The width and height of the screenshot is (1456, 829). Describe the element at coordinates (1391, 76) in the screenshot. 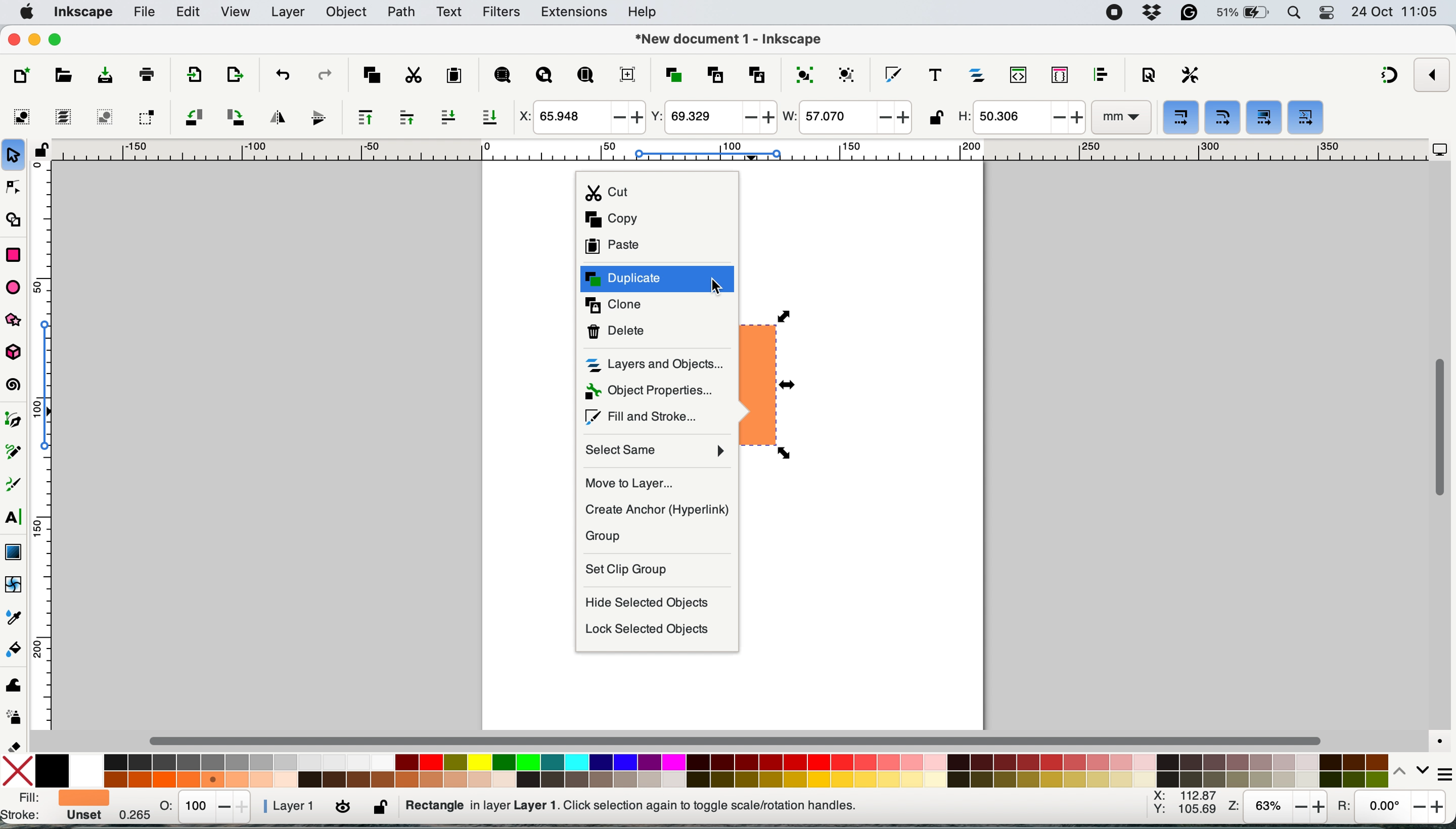

I see `snapping` at that location.